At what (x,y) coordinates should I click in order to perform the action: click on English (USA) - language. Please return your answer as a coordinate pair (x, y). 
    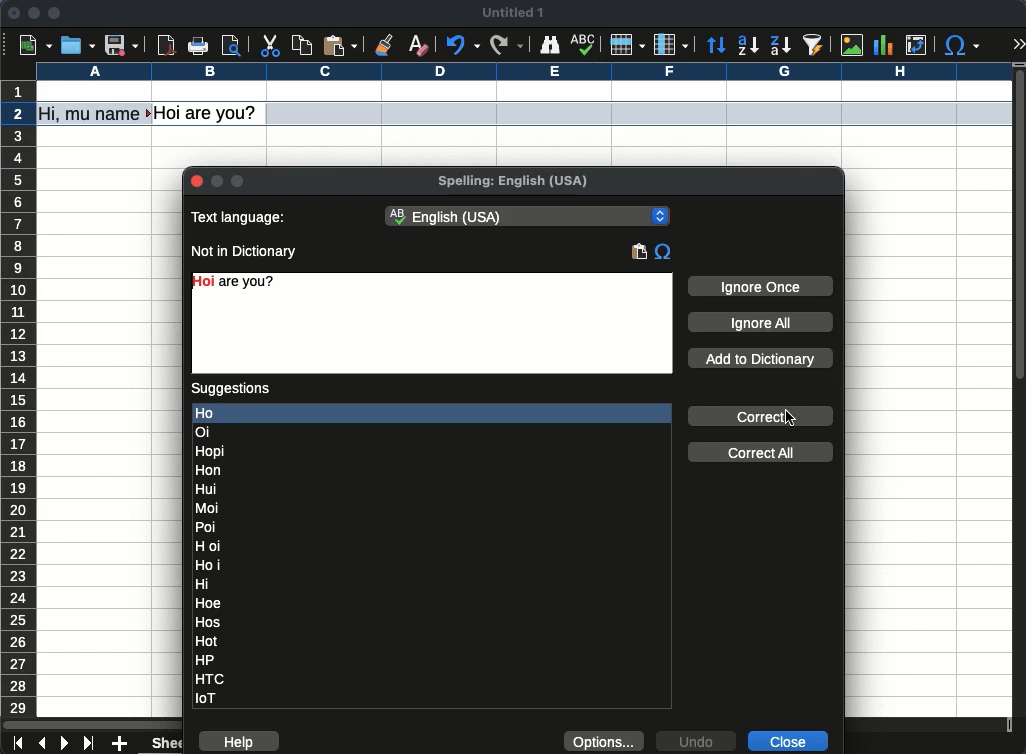
    Looking at the image, I should click on (528, 217).